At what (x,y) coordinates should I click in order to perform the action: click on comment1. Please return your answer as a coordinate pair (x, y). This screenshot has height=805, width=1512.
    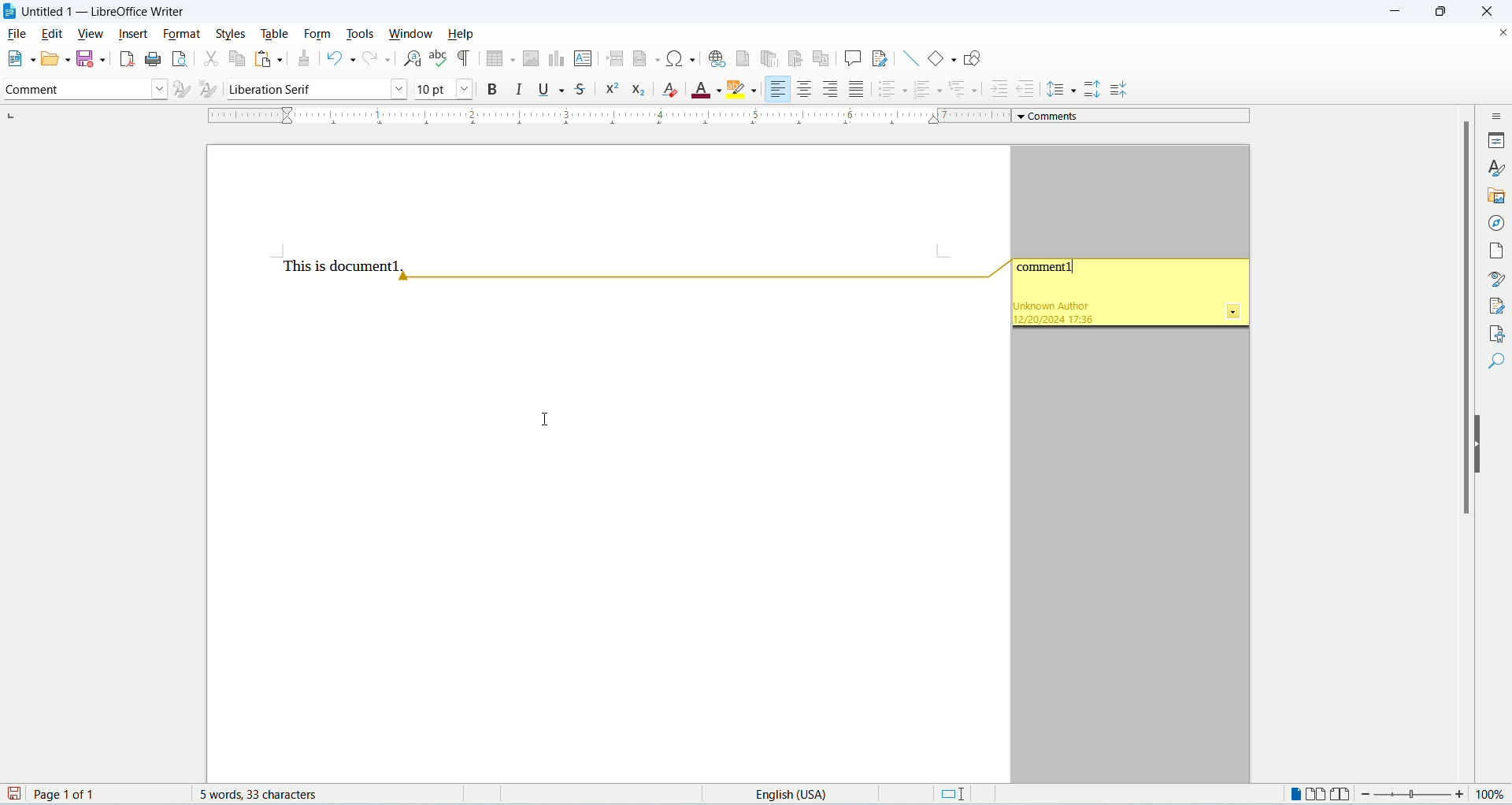
    Looking at the image, I should click on (1047, 269).